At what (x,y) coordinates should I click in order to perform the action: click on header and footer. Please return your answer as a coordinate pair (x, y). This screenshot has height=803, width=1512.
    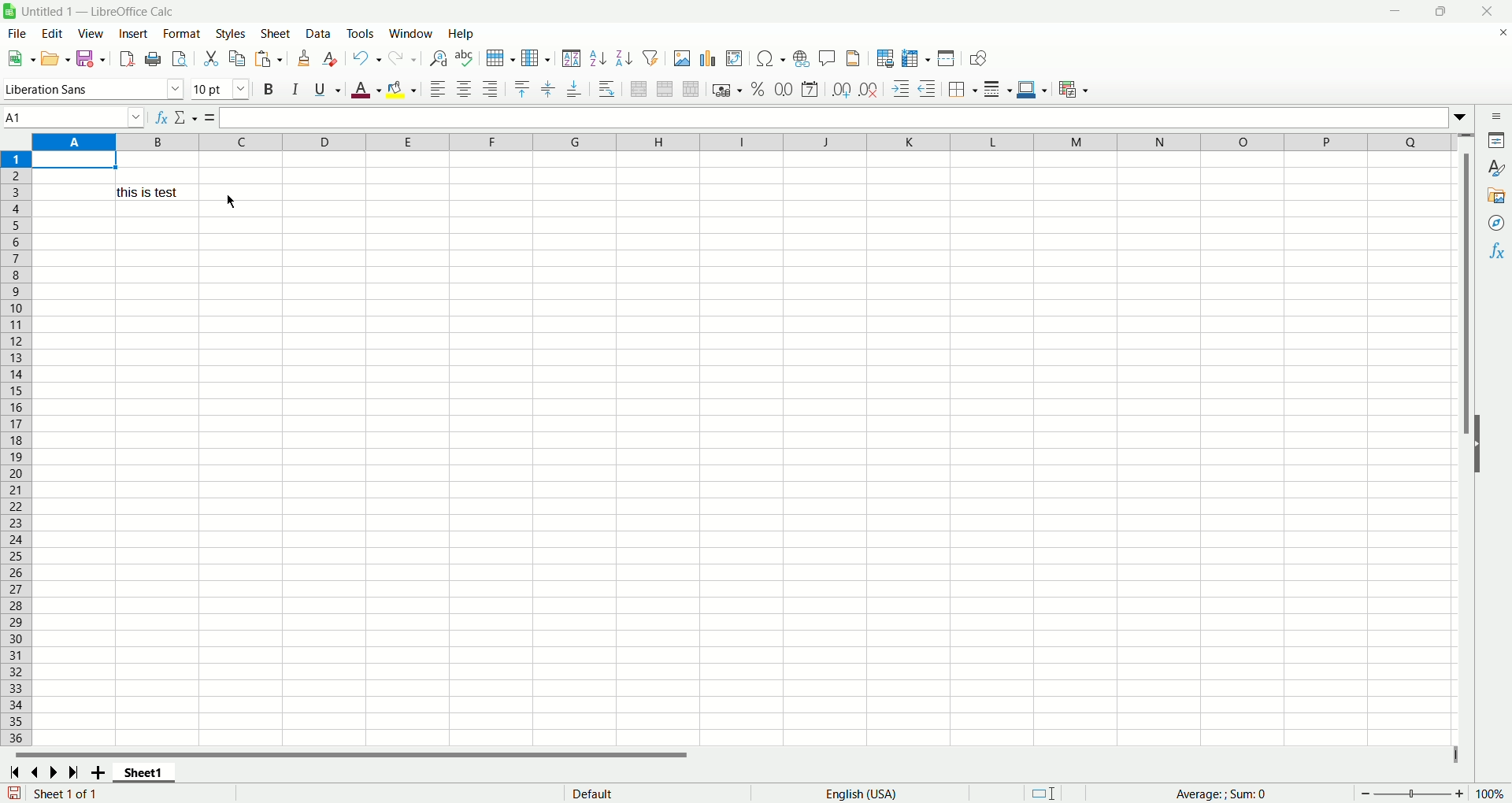
    Looking at the image, I should click on (855, 58).